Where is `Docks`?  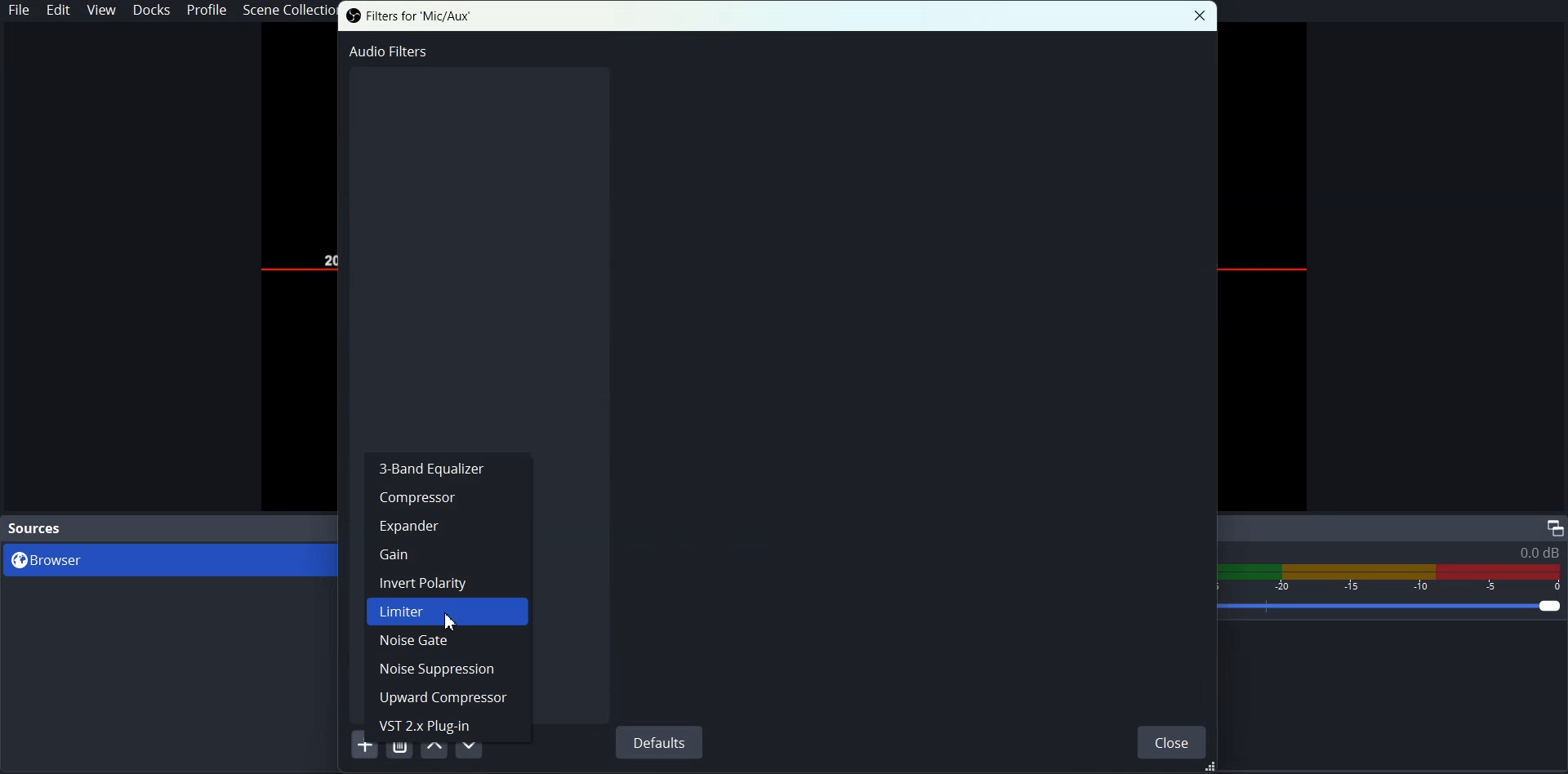 Docks is located at coordinates (154, 11).